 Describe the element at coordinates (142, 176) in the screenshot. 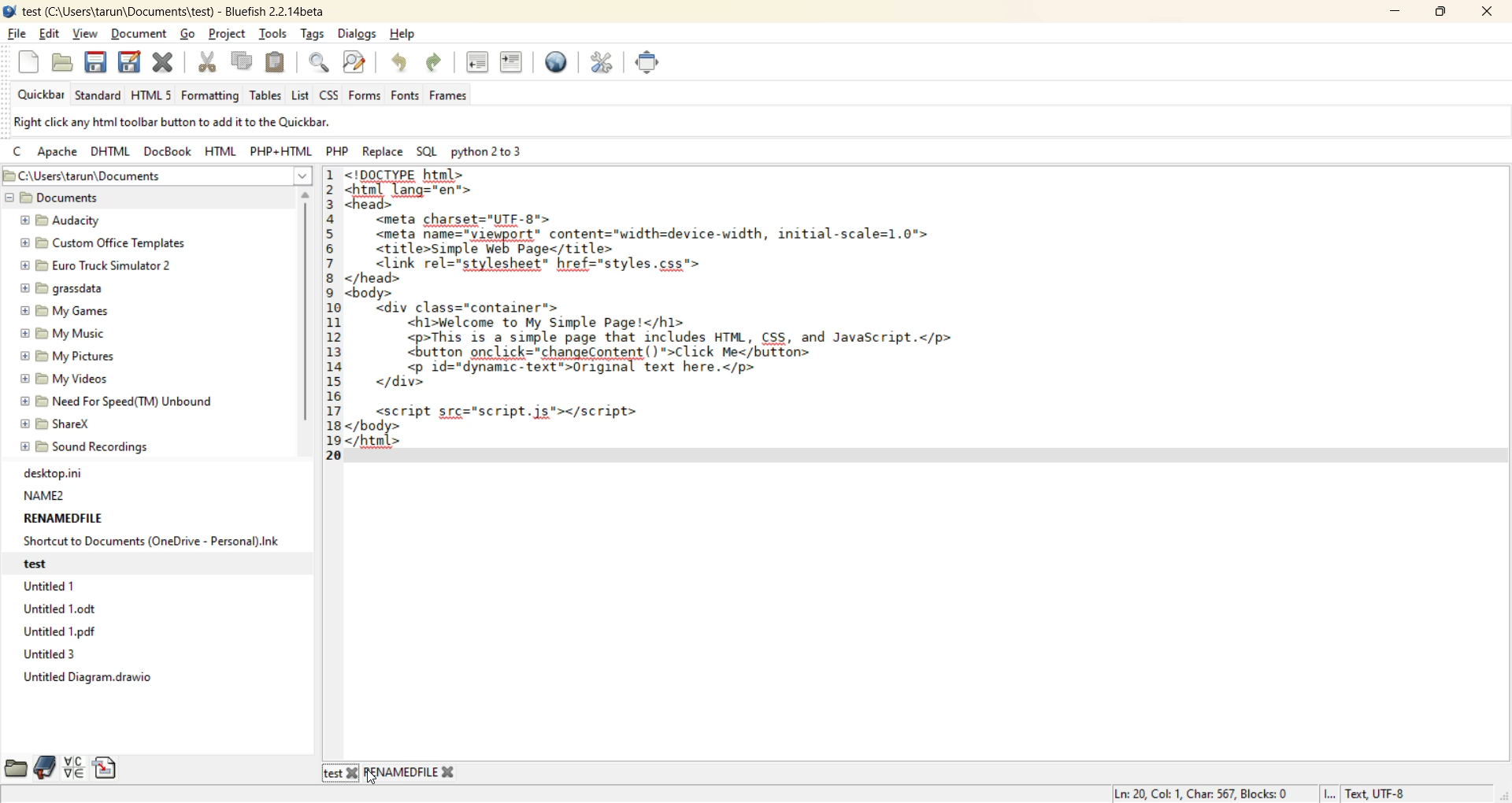

I see `file path` at that location.